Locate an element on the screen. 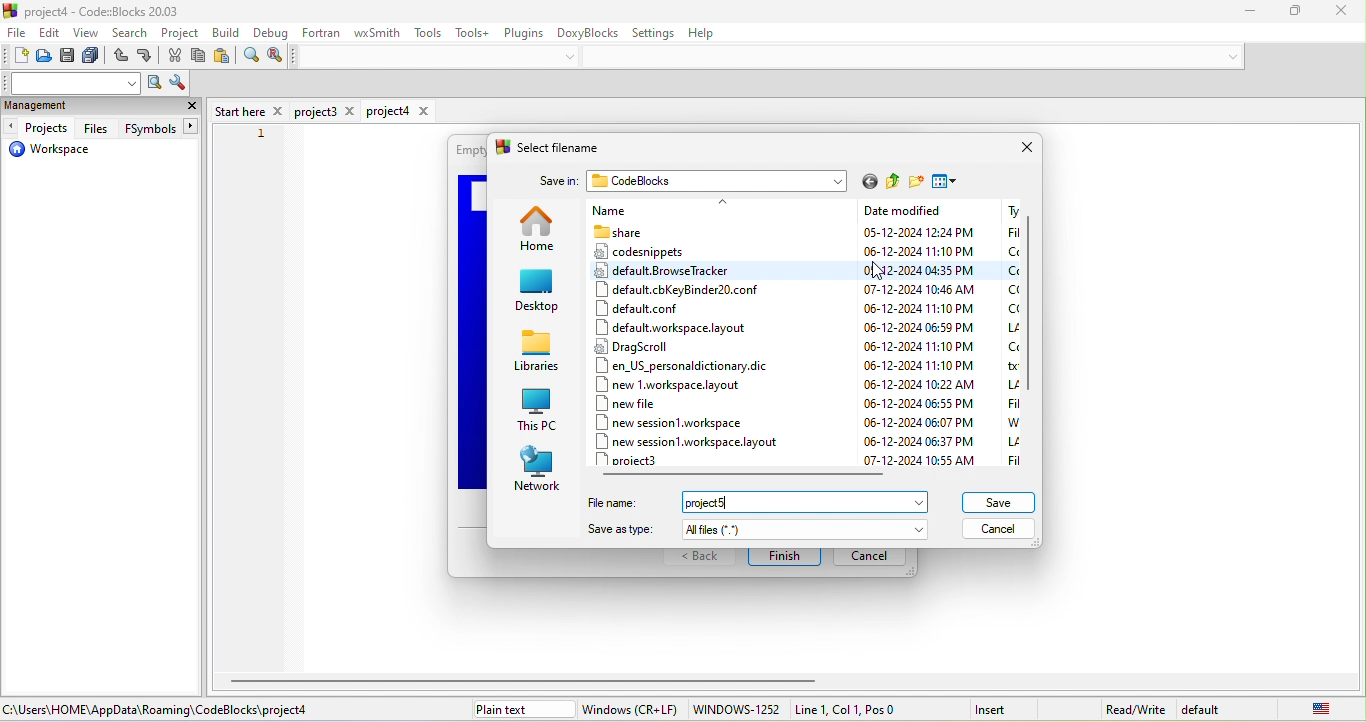 The width and height of the screenshot is (1366, 722). libraries is located at coordinates (539, 353).